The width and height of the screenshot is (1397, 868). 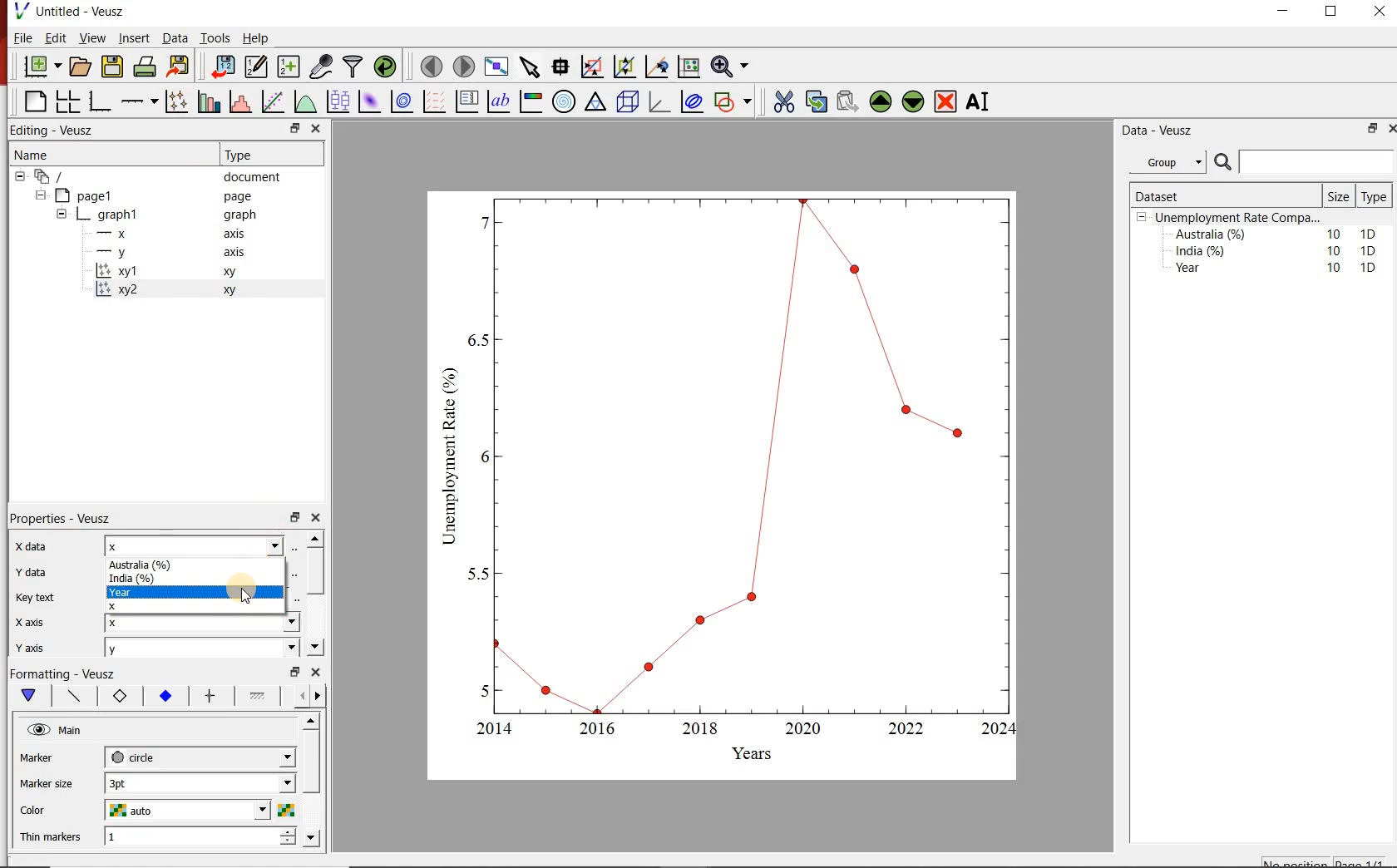 What do you see at coordinates (1340, 196) in the screenshot?
I see `Size` at bounding box center [1340, 196].